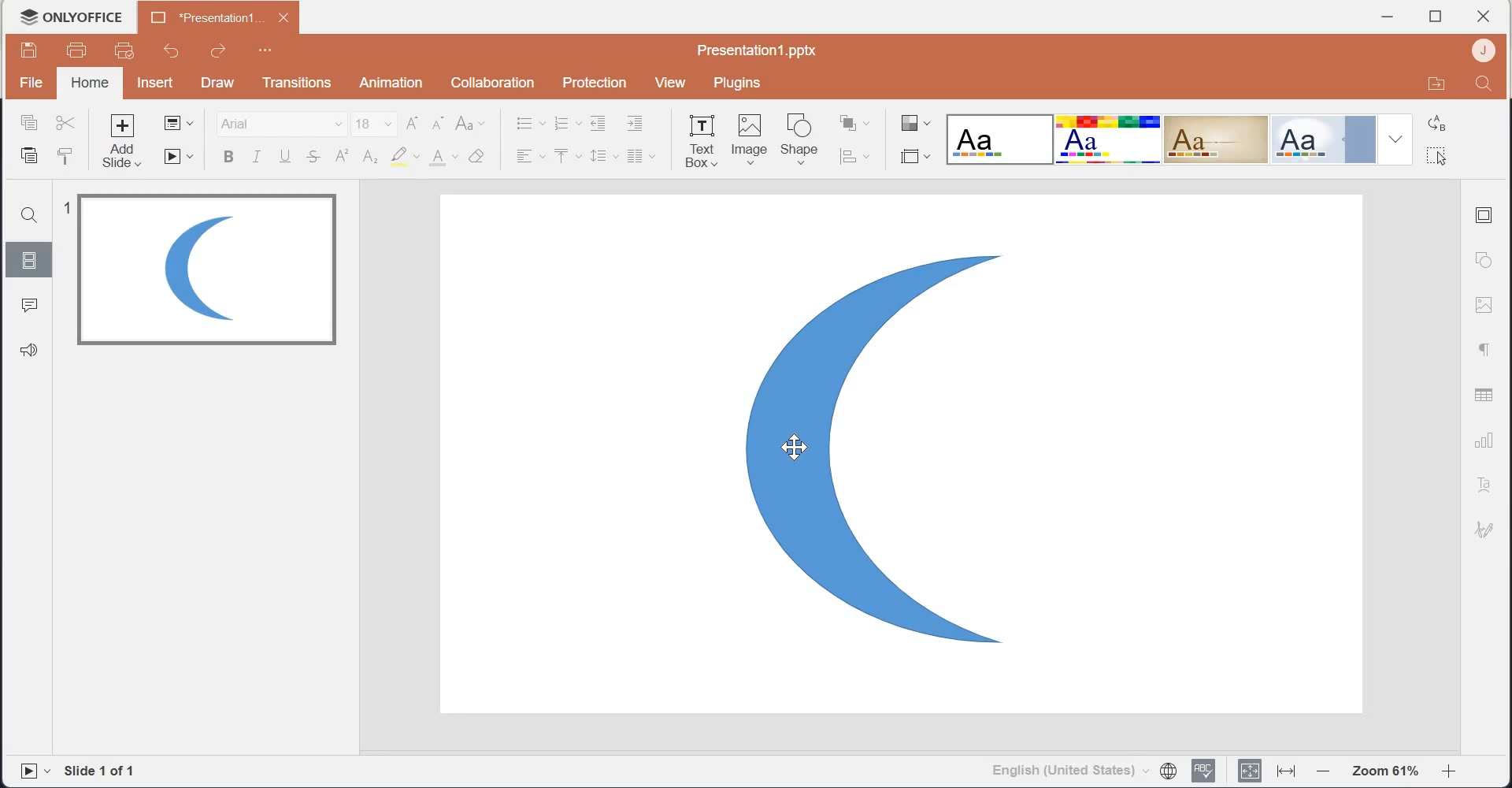  I want to click on Search, so click(31, 214).